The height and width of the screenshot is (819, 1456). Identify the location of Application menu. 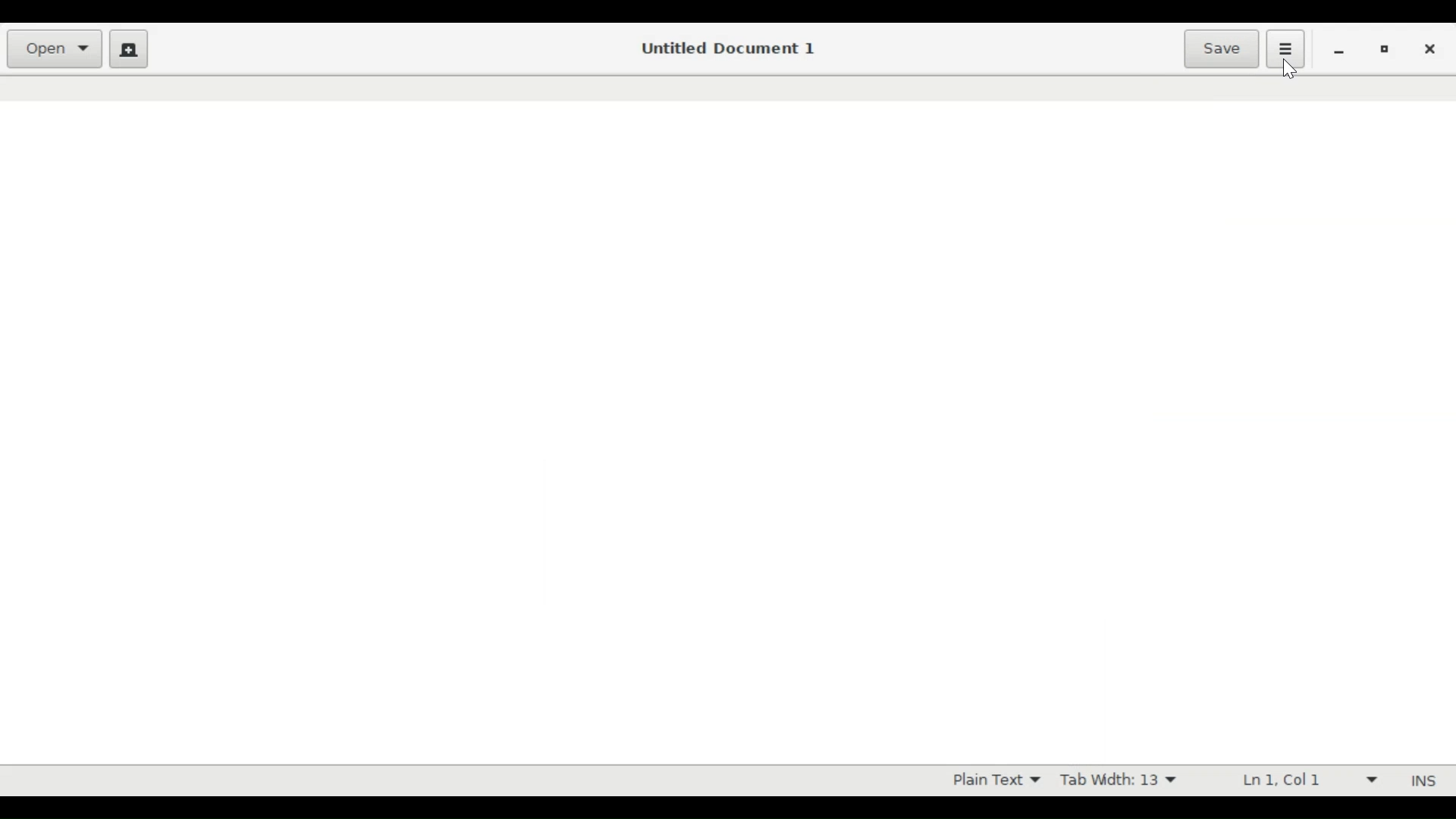
(1285, 50).